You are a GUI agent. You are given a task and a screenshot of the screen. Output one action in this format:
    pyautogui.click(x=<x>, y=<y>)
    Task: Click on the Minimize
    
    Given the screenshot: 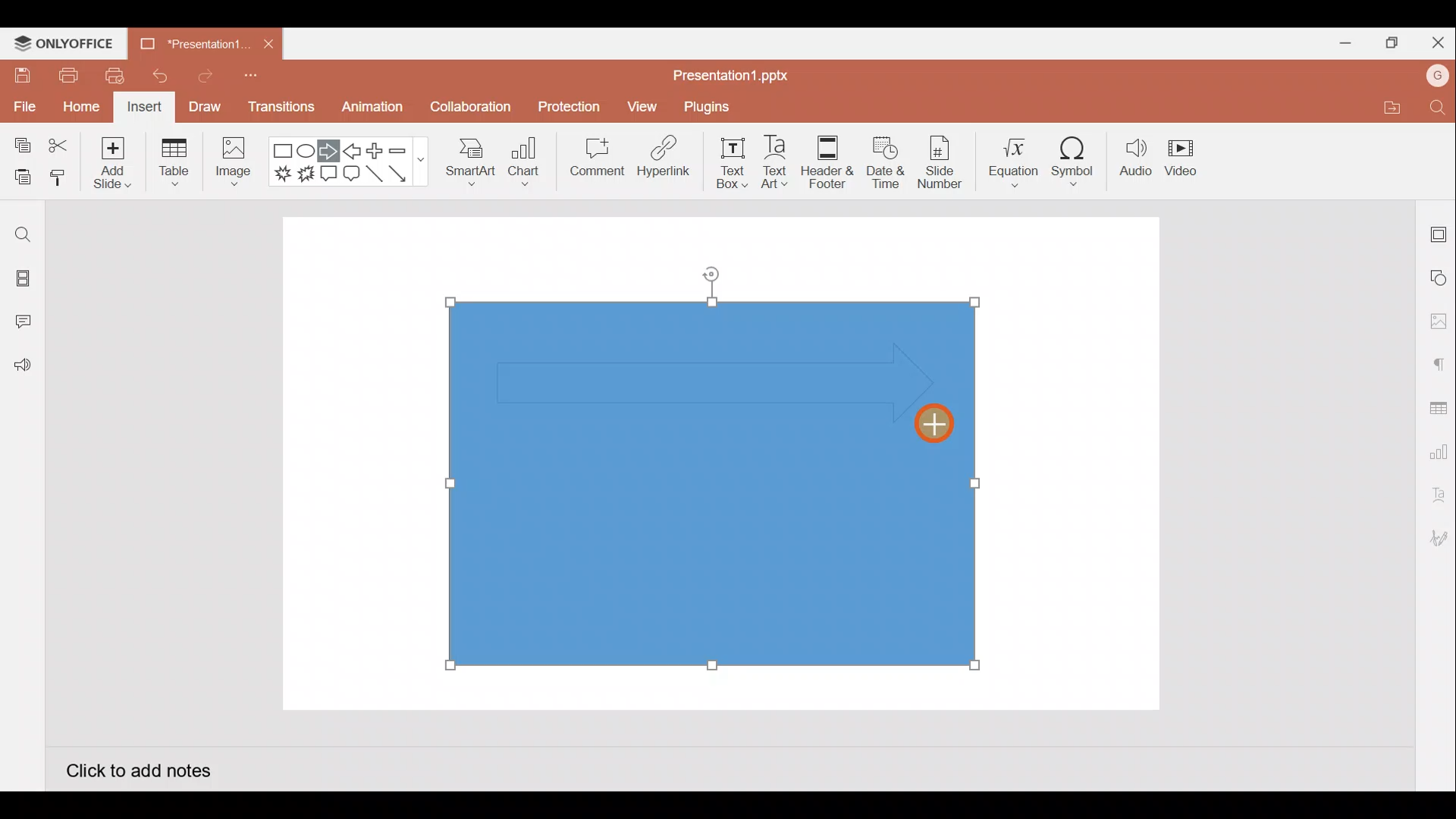 What is the action you would take?
    pyautogui.click(x=1339, y=40)
    